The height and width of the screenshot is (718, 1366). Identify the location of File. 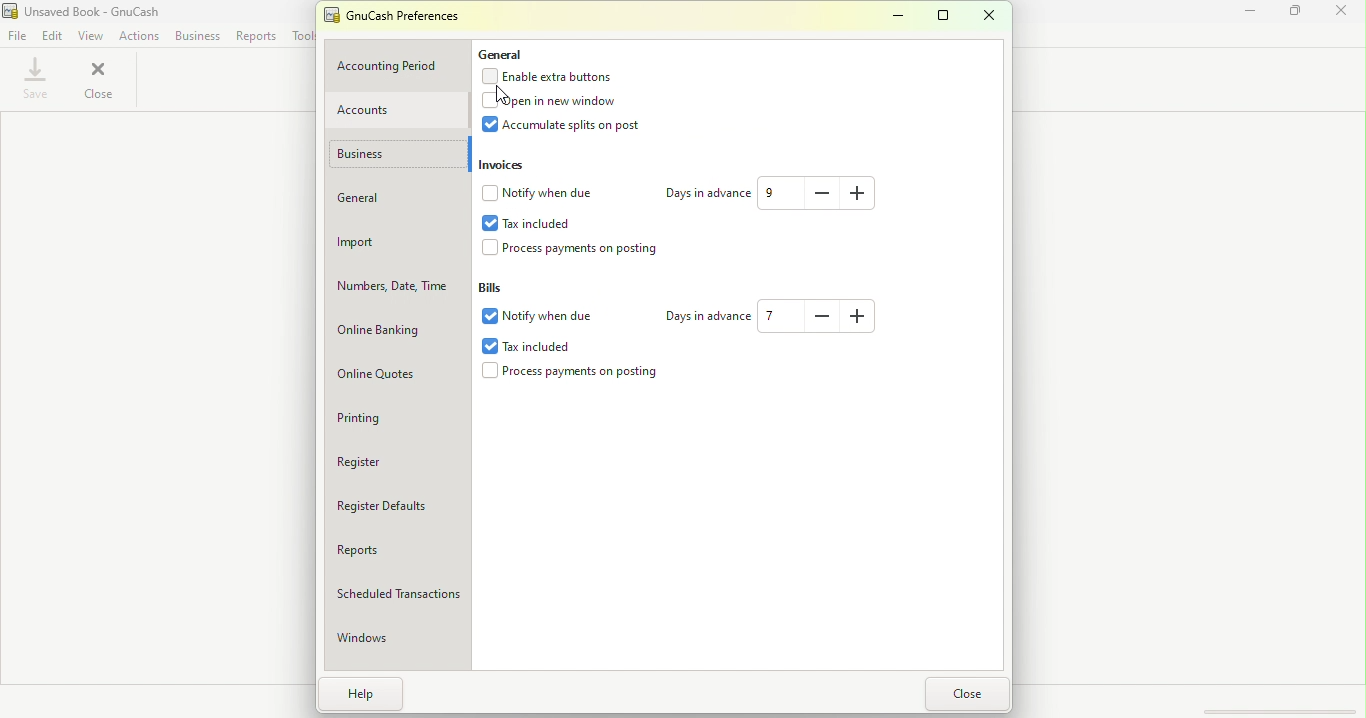
(18, 38).